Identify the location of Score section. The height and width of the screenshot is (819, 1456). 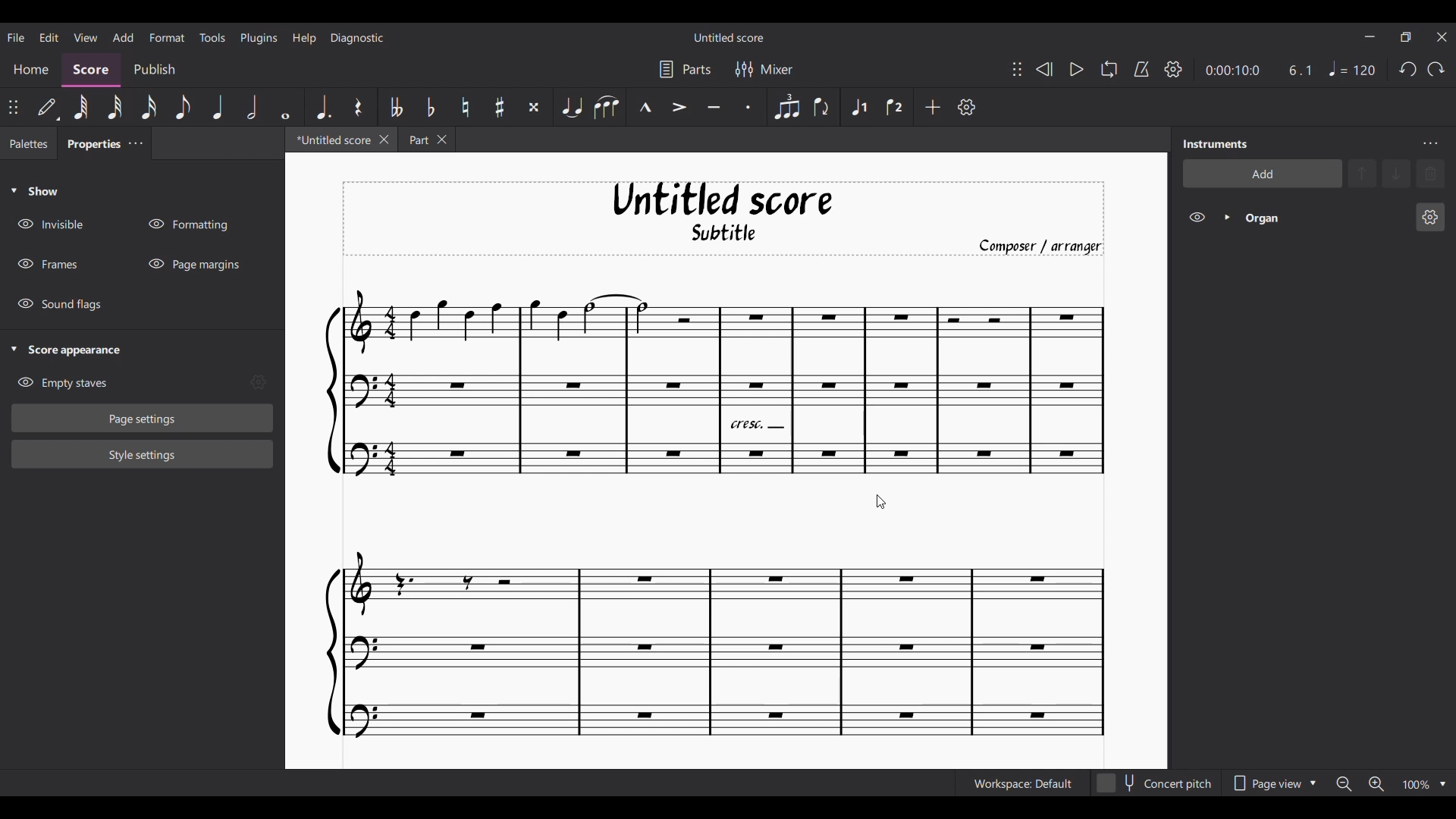
(90, 71).